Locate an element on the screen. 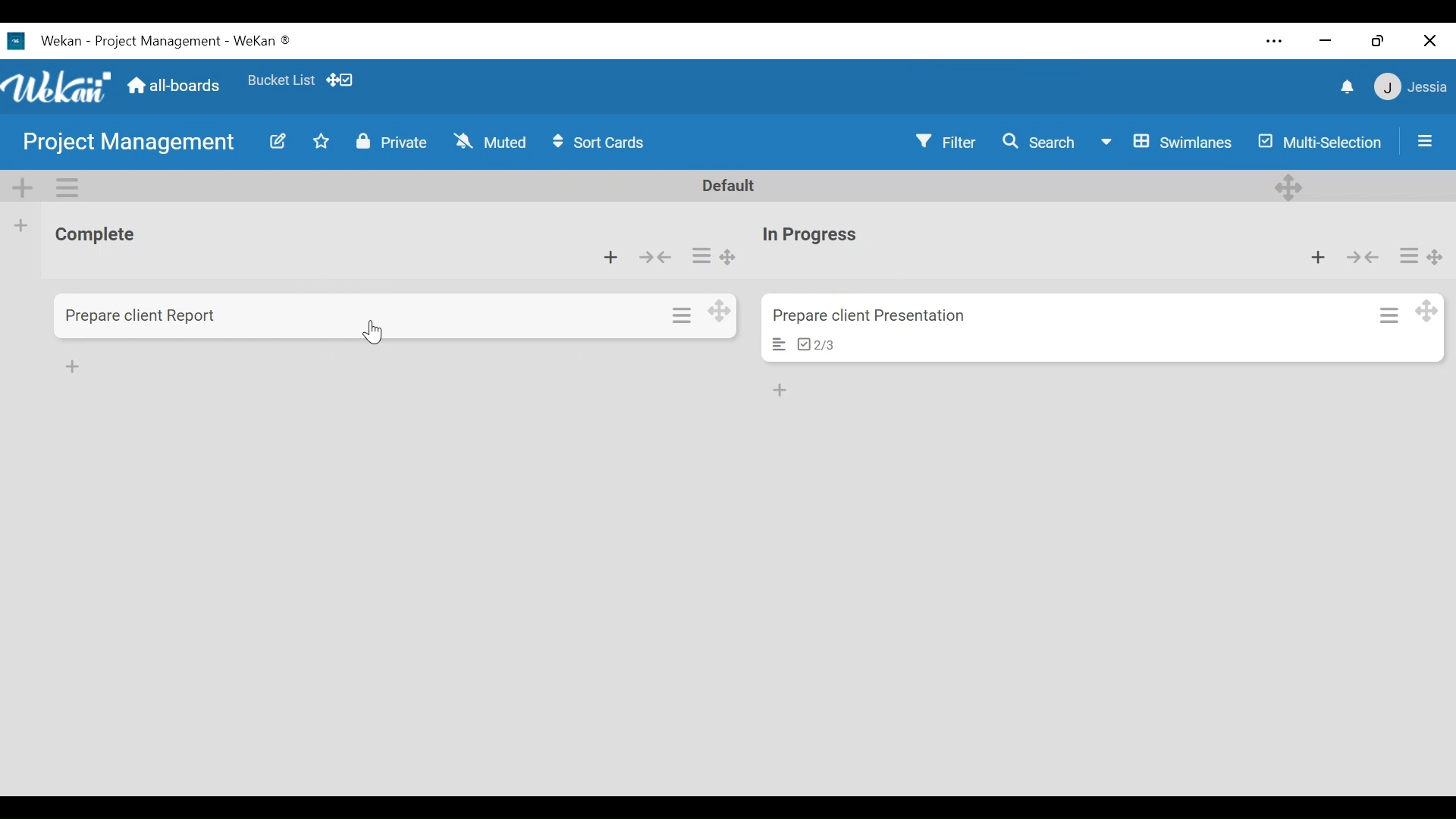 This screenshot has height=819, width=1456. Card Title is located at coordinates (143, 316).